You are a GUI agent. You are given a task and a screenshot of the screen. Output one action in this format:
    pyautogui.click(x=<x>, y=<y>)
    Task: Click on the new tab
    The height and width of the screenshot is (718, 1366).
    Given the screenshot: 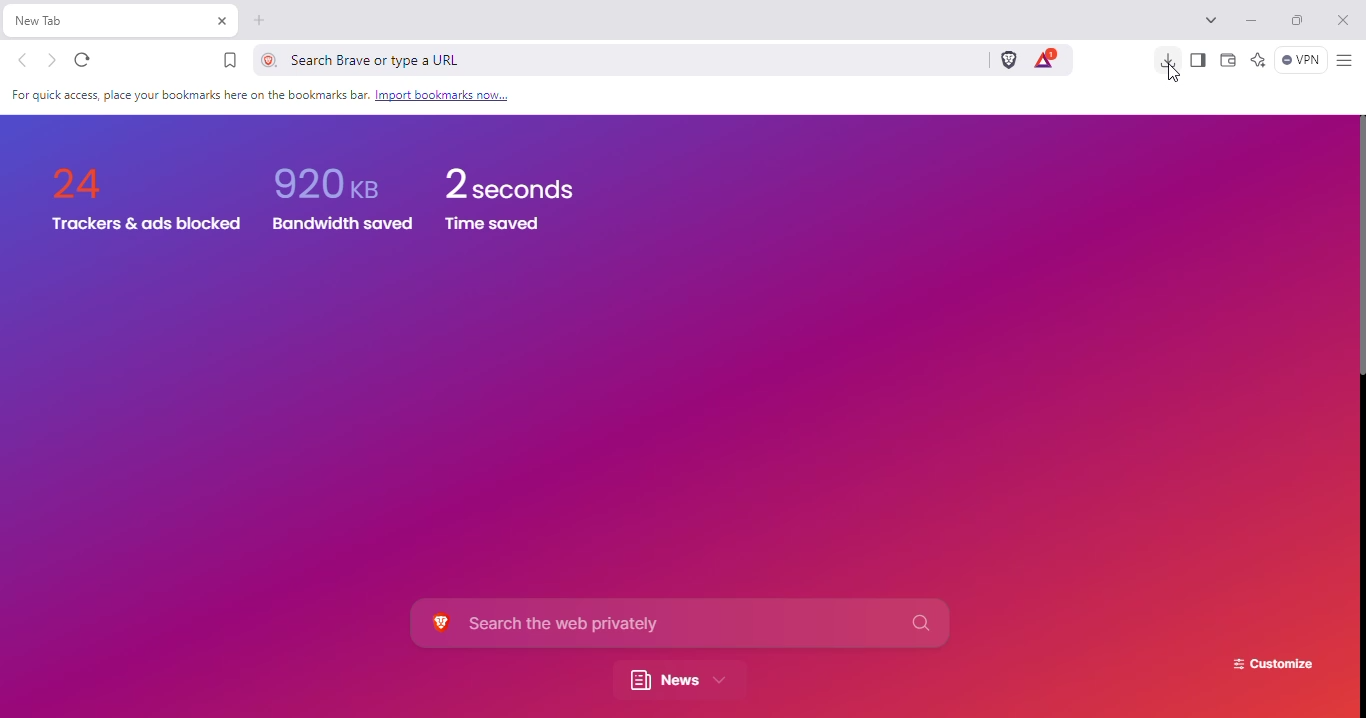 What is the action you would take?
    pyautogui.click(x=93, y=20)
    